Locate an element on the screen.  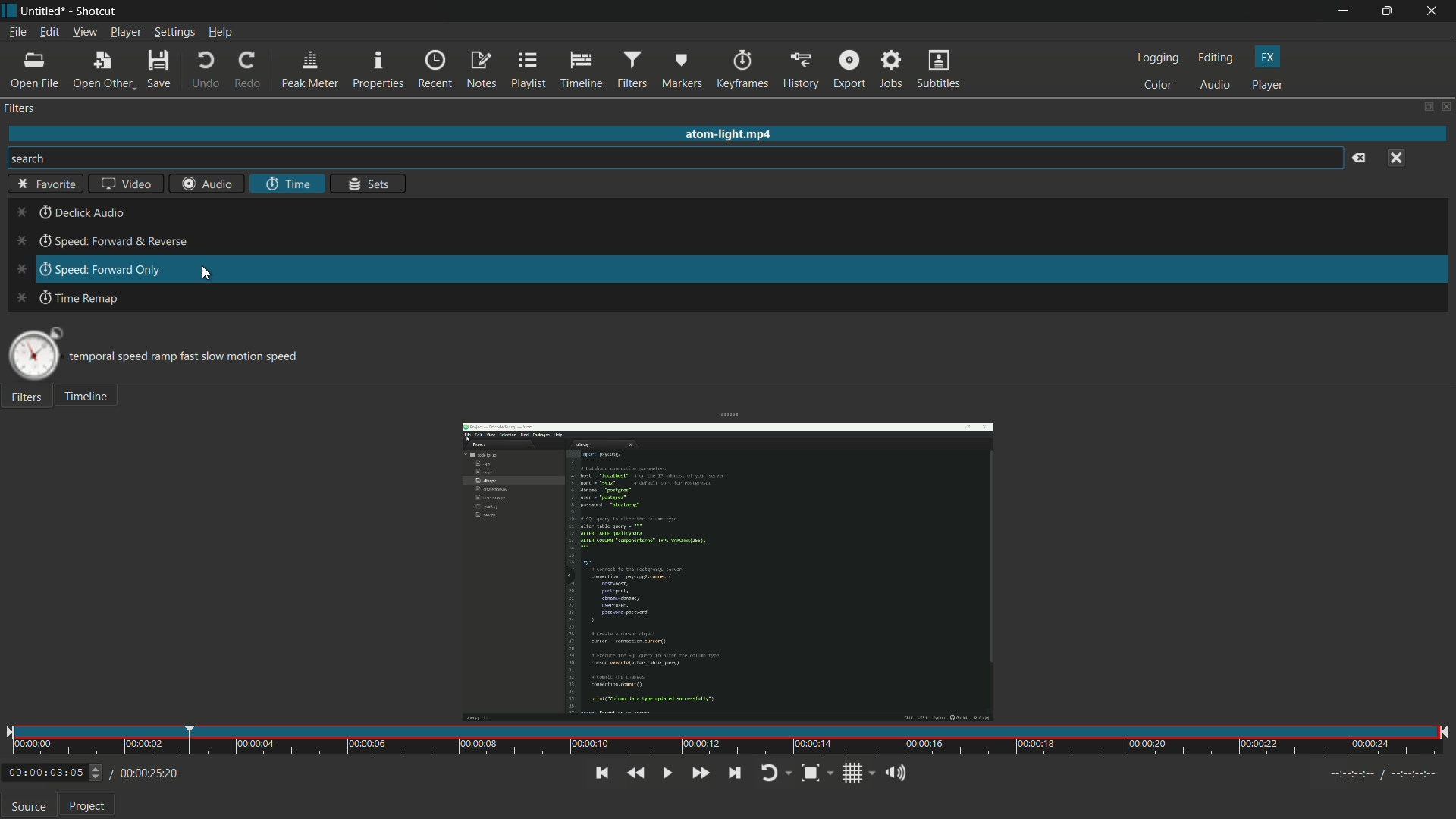
audio is located at coordinates (210, 183).